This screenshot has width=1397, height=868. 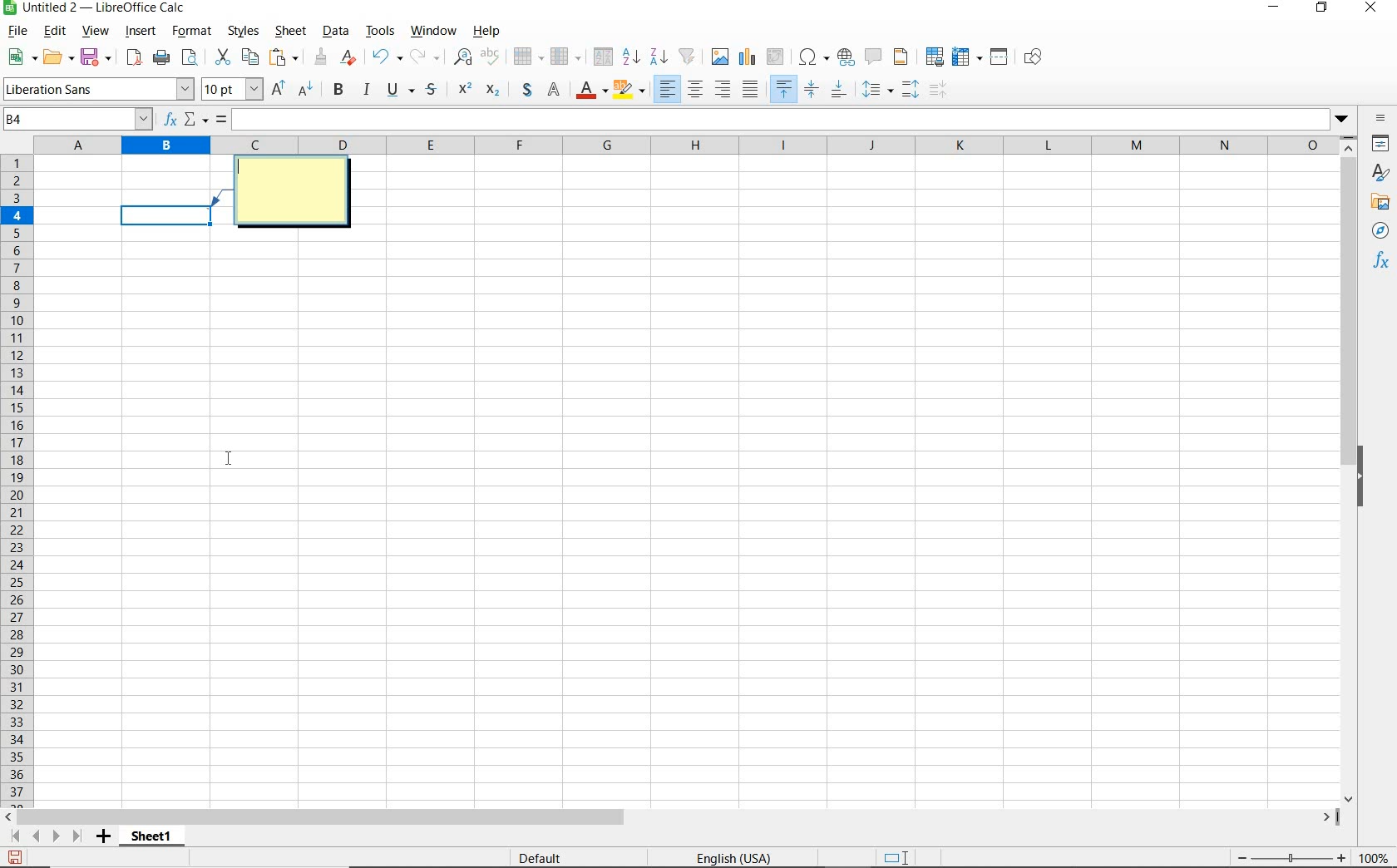 What do you see at coordinates (1380, 118) in the screenshot?
I see `sidebar settings` at bounding box center [1380, 118].